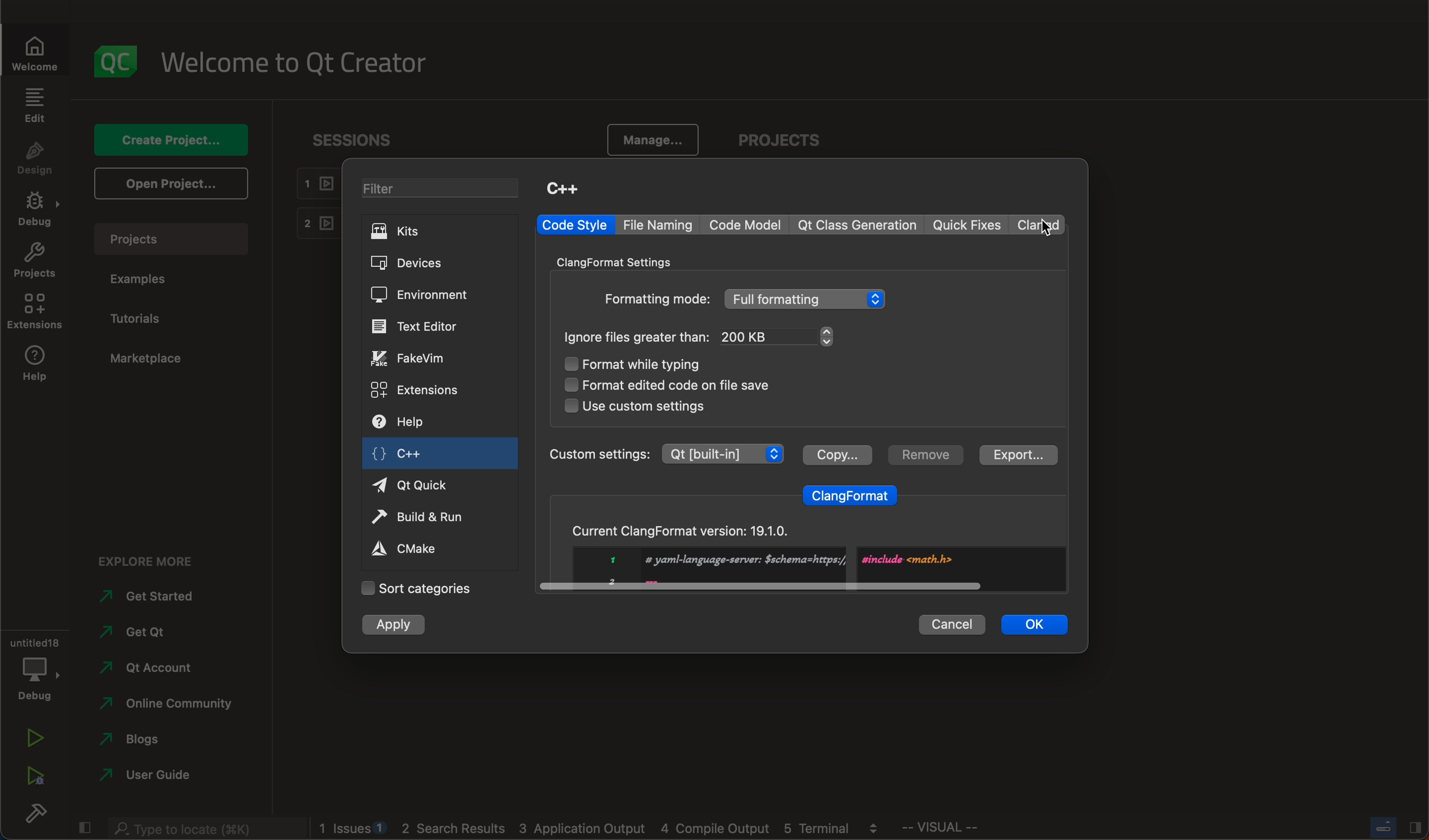 The width and height of the screenshot is (1429, 840). What do you see at coordinates (426, 295) in the screenshot?
I see `environment` at bounding box center [426, 295].